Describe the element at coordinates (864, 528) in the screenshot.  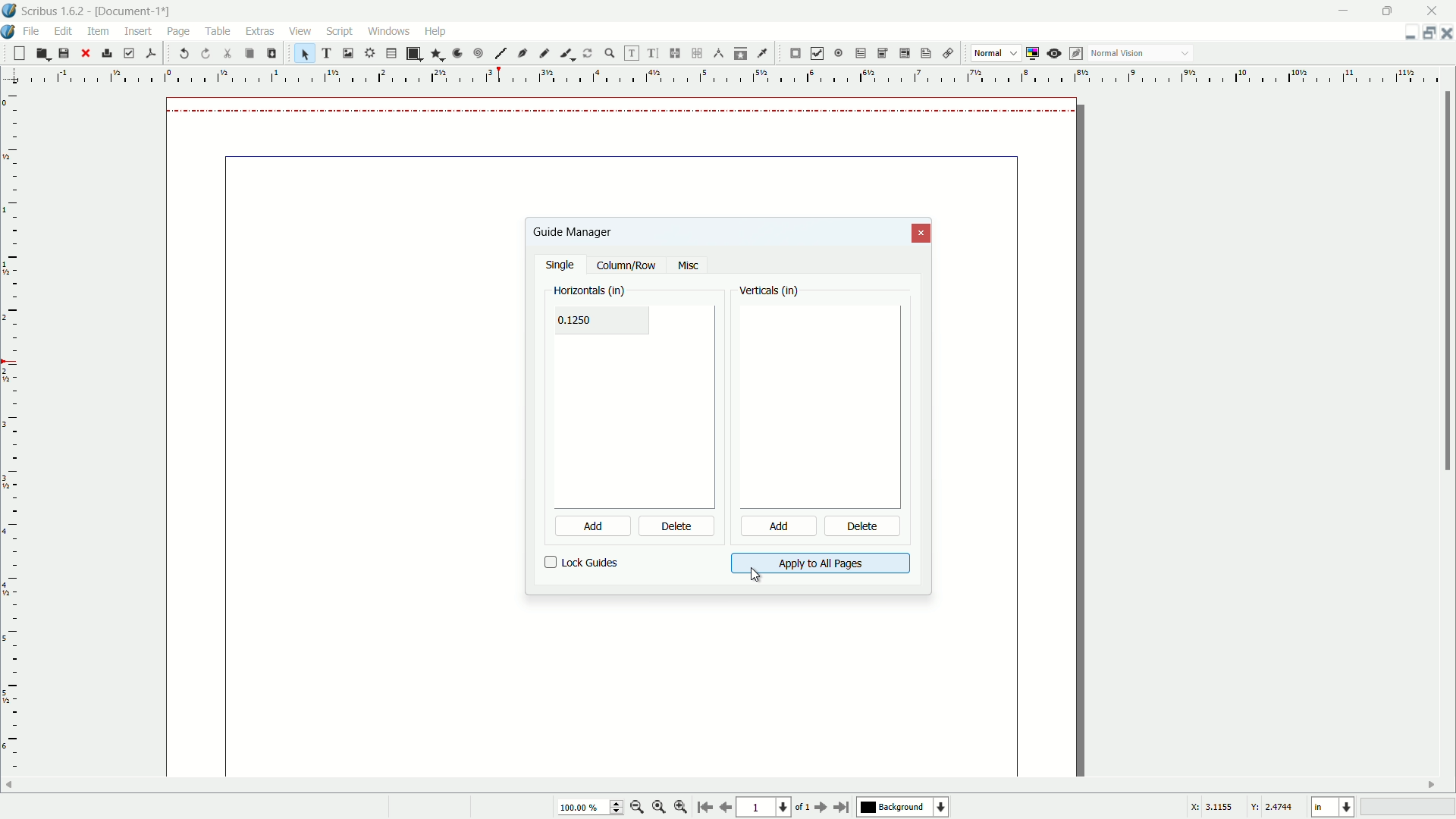
I see `delete` at that location.